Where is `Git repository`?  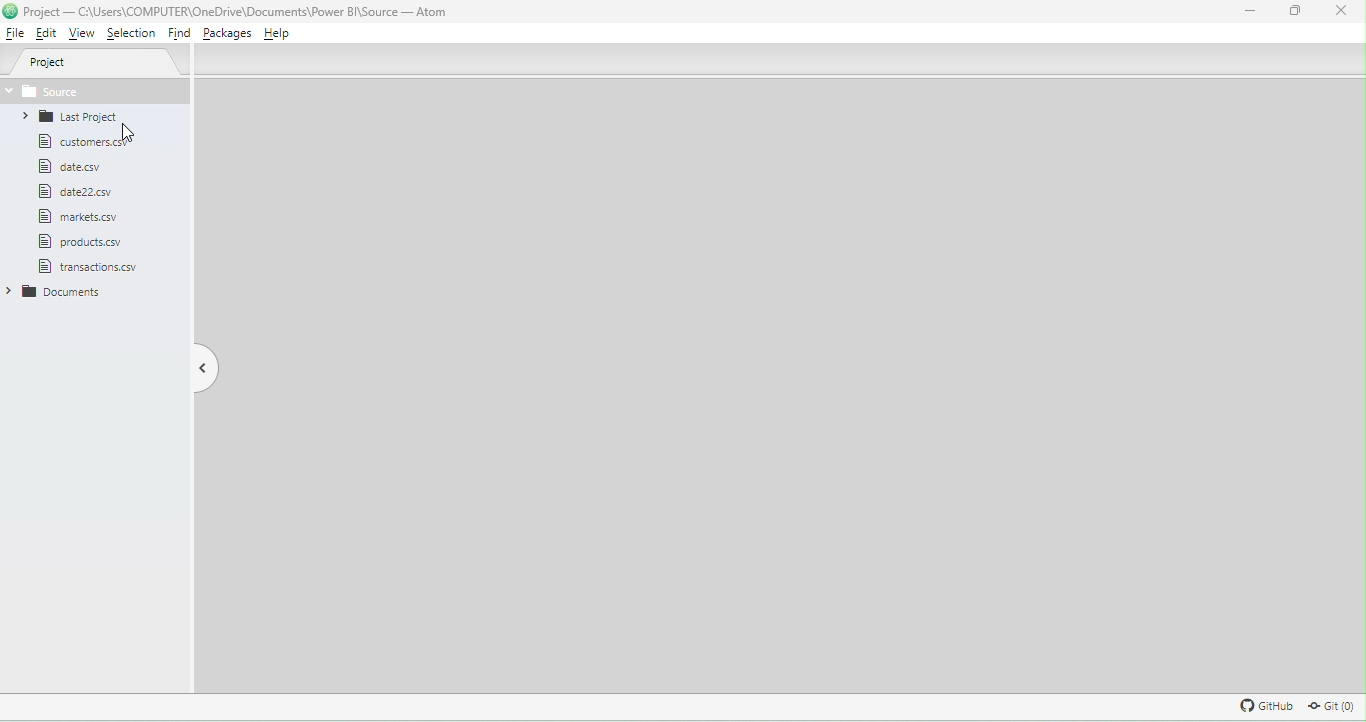 Git repository is located at coordinates (1325, 706).